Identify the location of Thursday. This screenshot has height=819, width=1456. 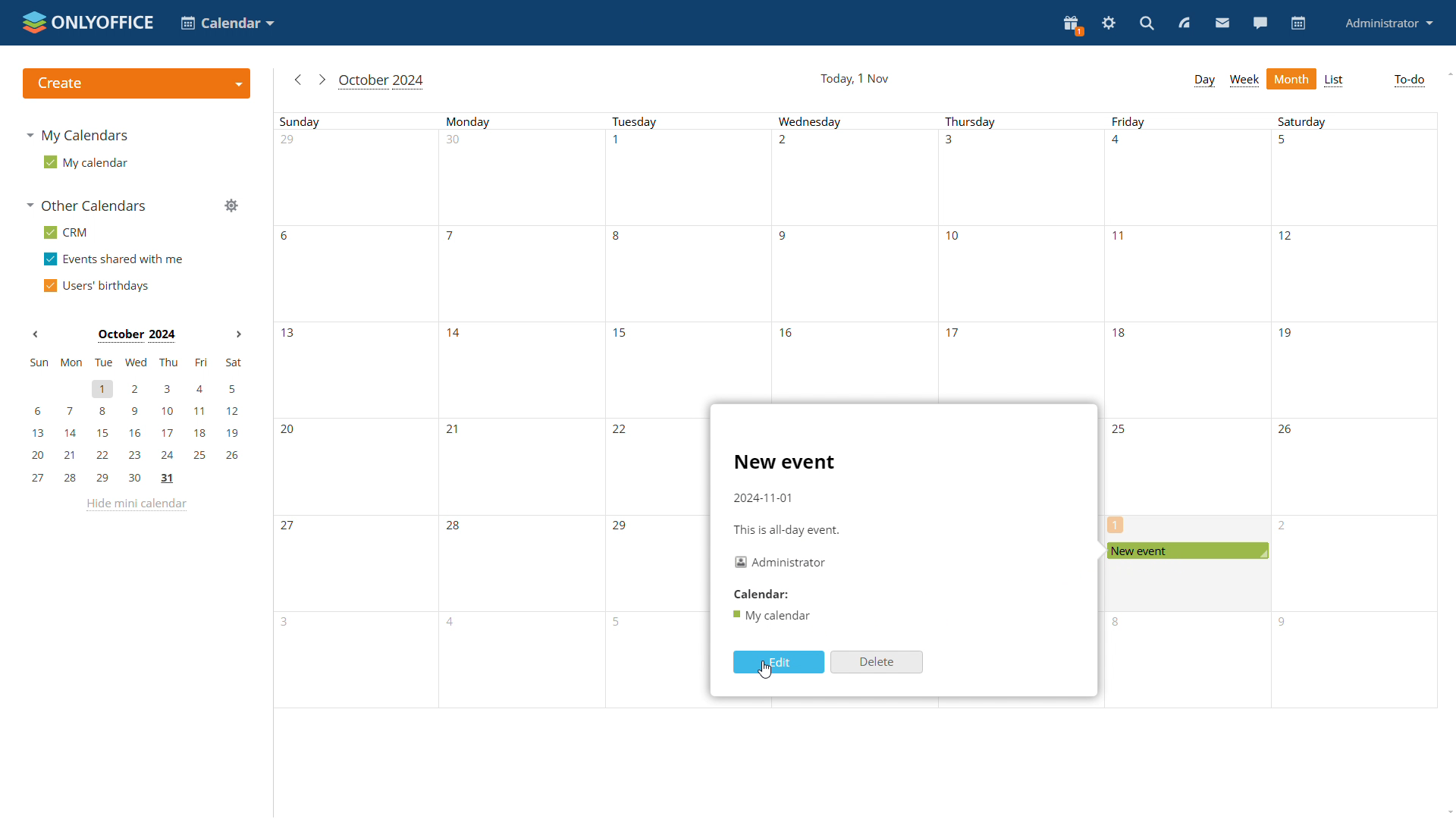
(1021, 255).